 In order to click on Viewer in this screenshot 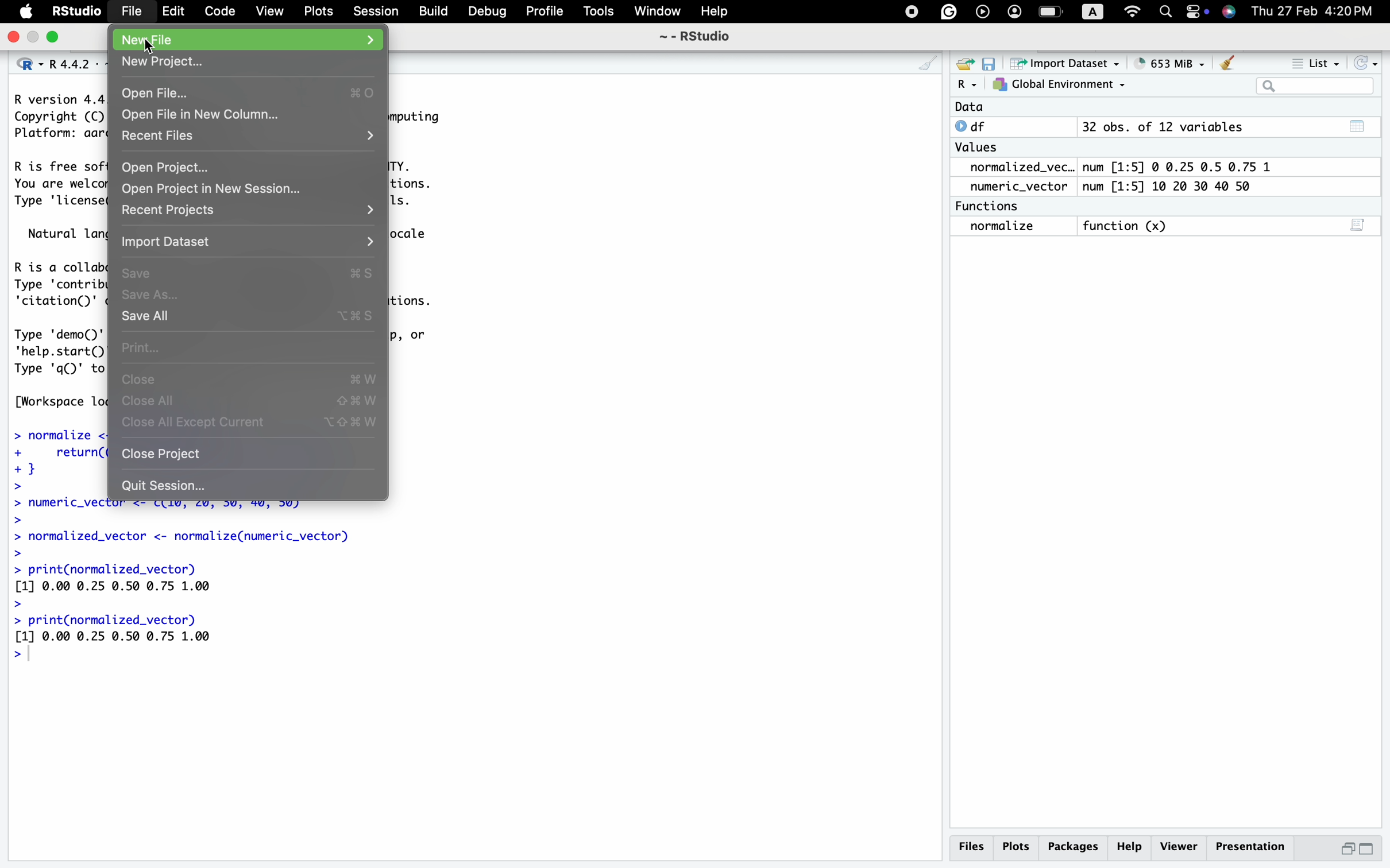, I will do `click(1180, 845)`.